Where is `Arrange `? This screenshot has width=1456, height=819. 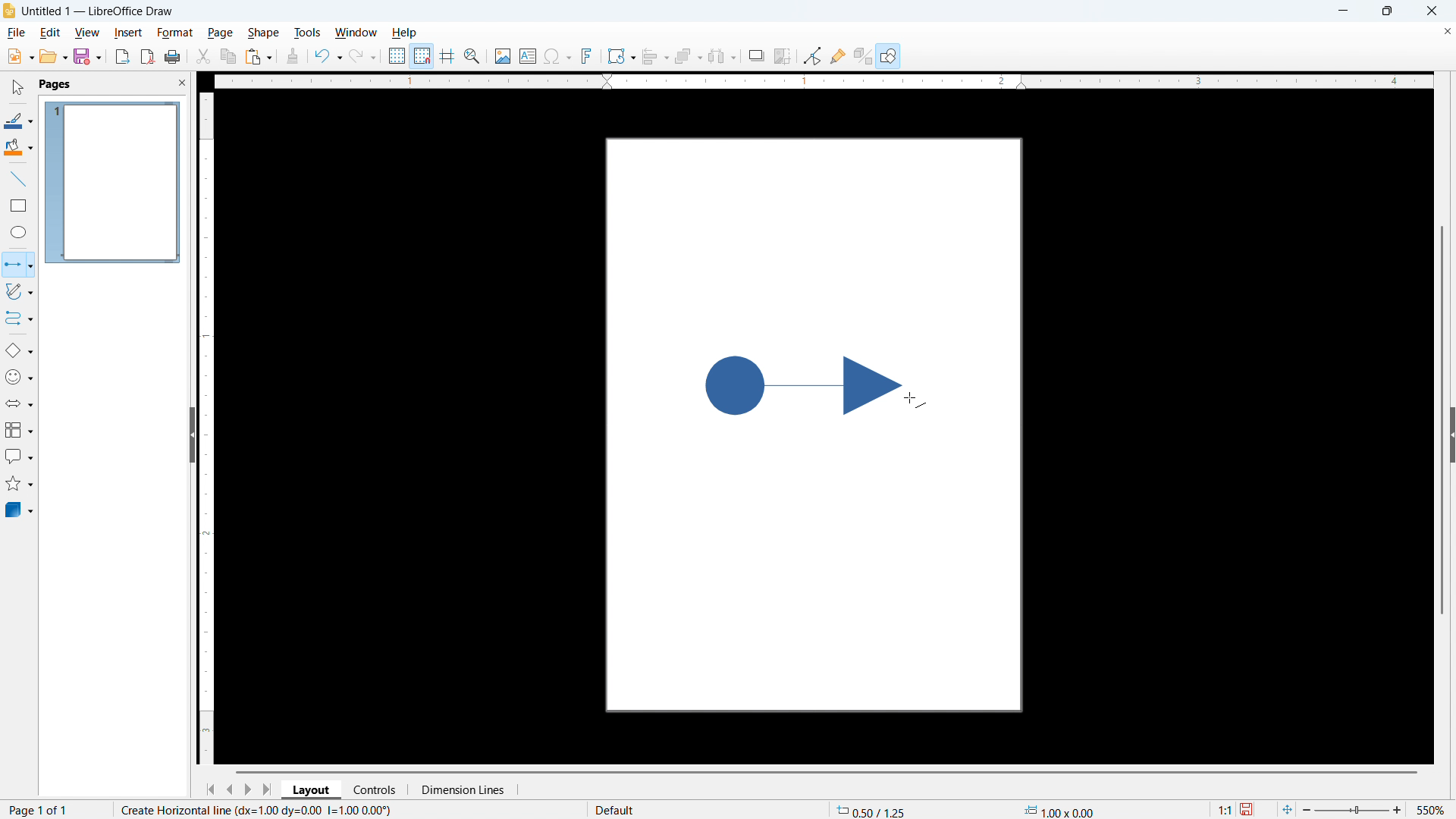
Arrange  is located at coordinates (689, 57).